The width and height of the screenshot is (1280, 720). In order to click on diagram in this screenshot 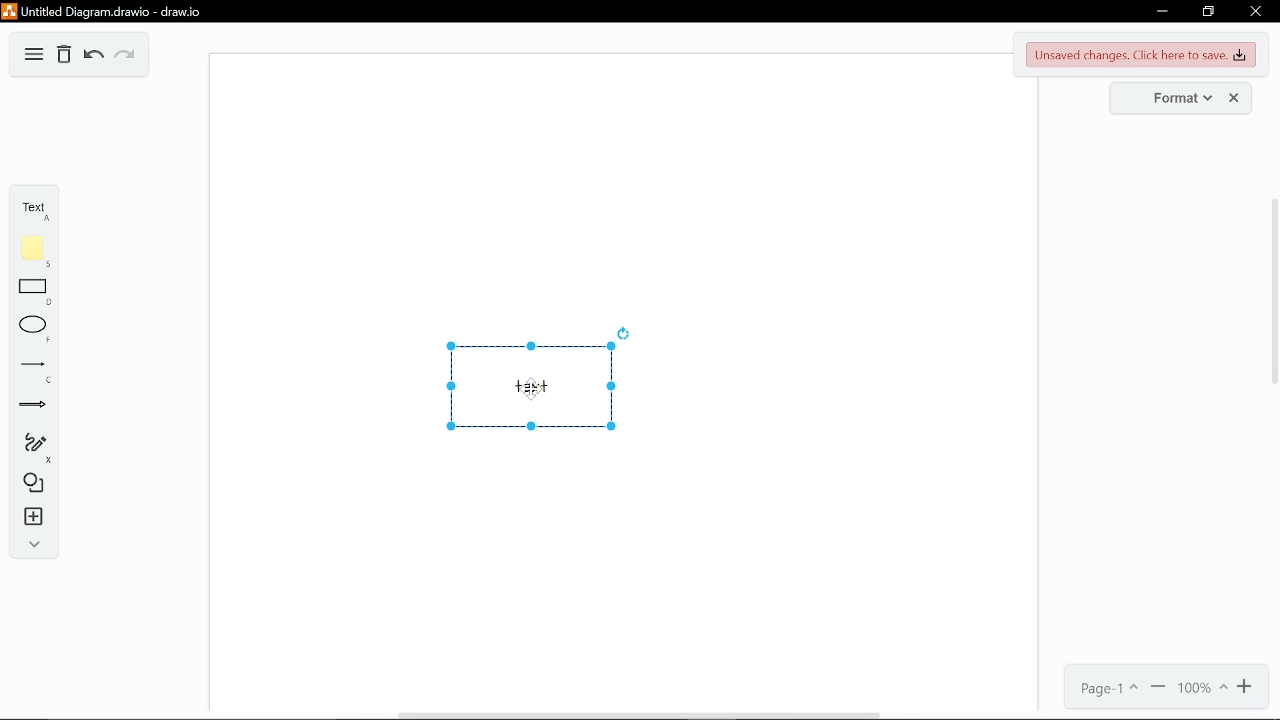, I will do `click(34, 54)`.